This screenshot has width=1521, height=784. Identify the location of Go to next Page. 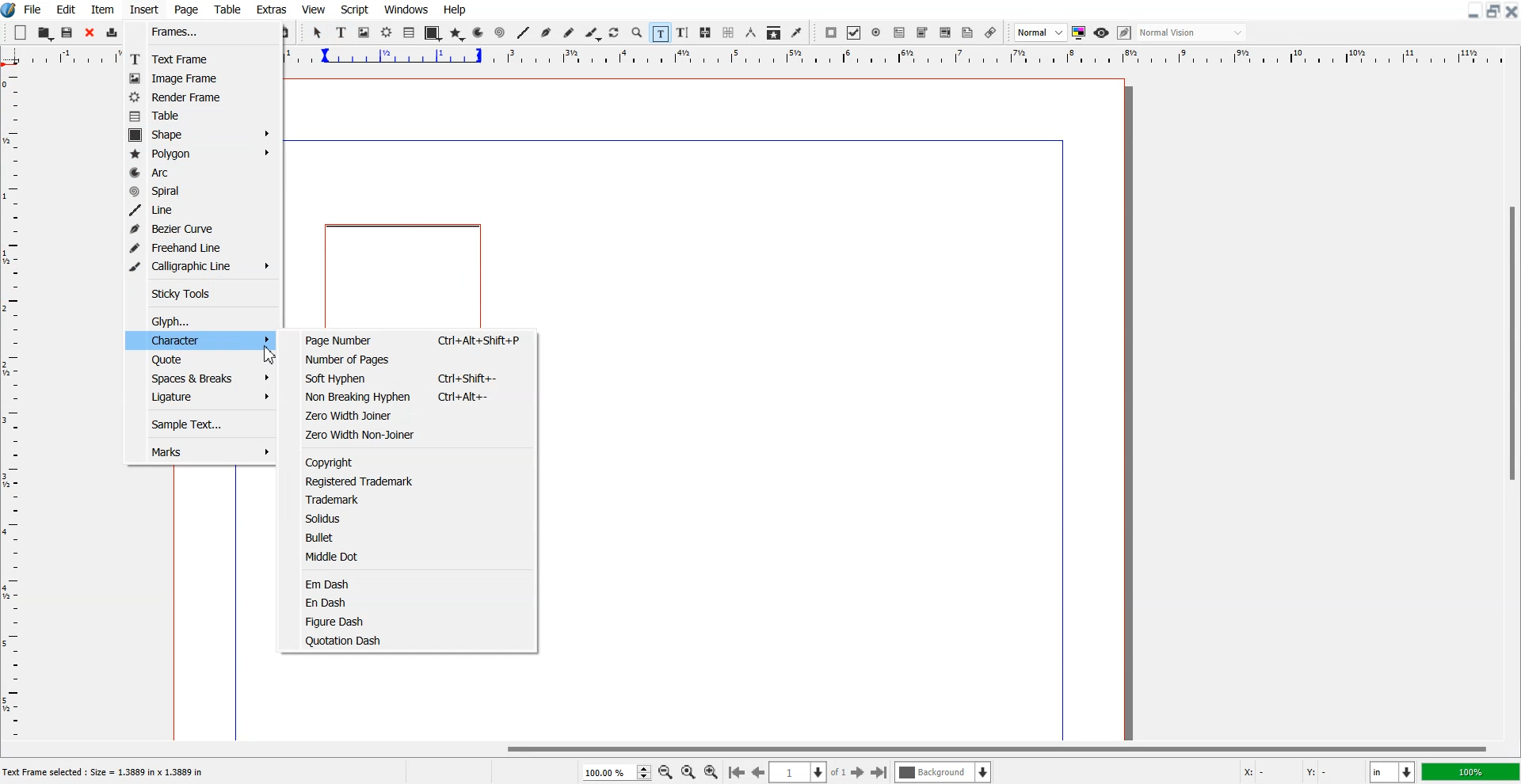
(858, 773).